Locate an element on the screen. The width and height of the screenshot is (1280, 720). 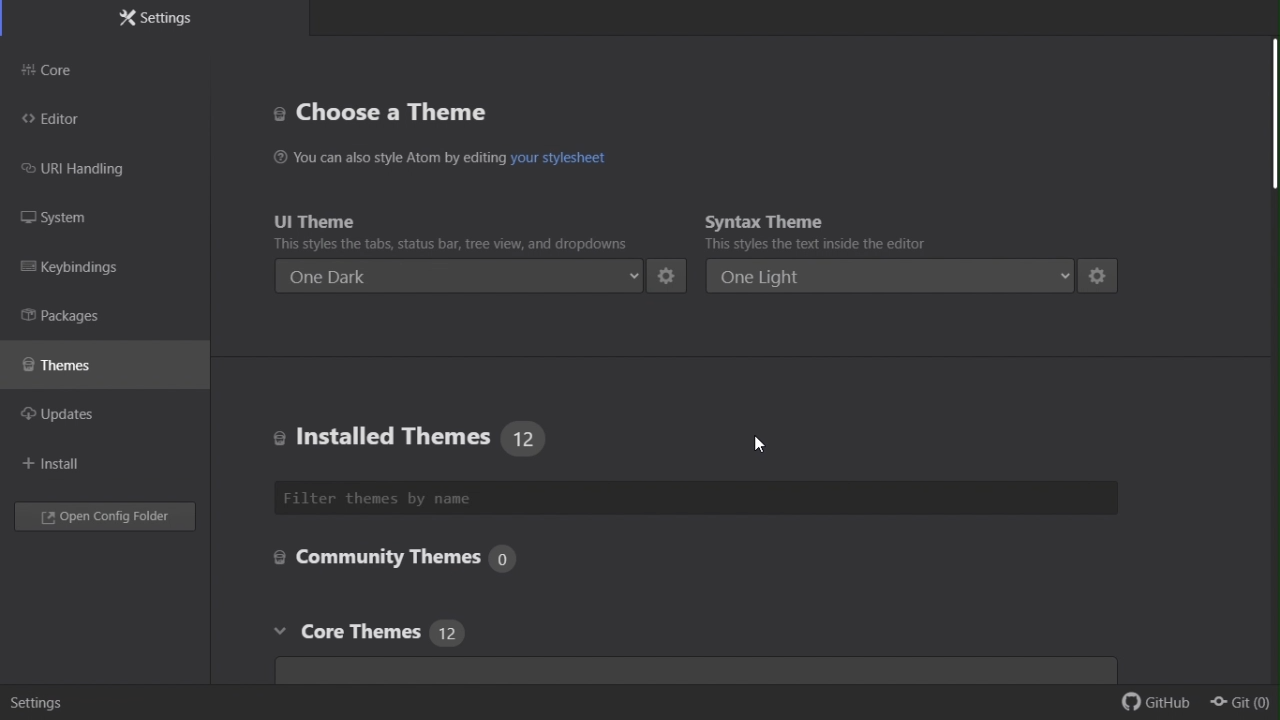
Community themes is located at coordinates (454, 559).